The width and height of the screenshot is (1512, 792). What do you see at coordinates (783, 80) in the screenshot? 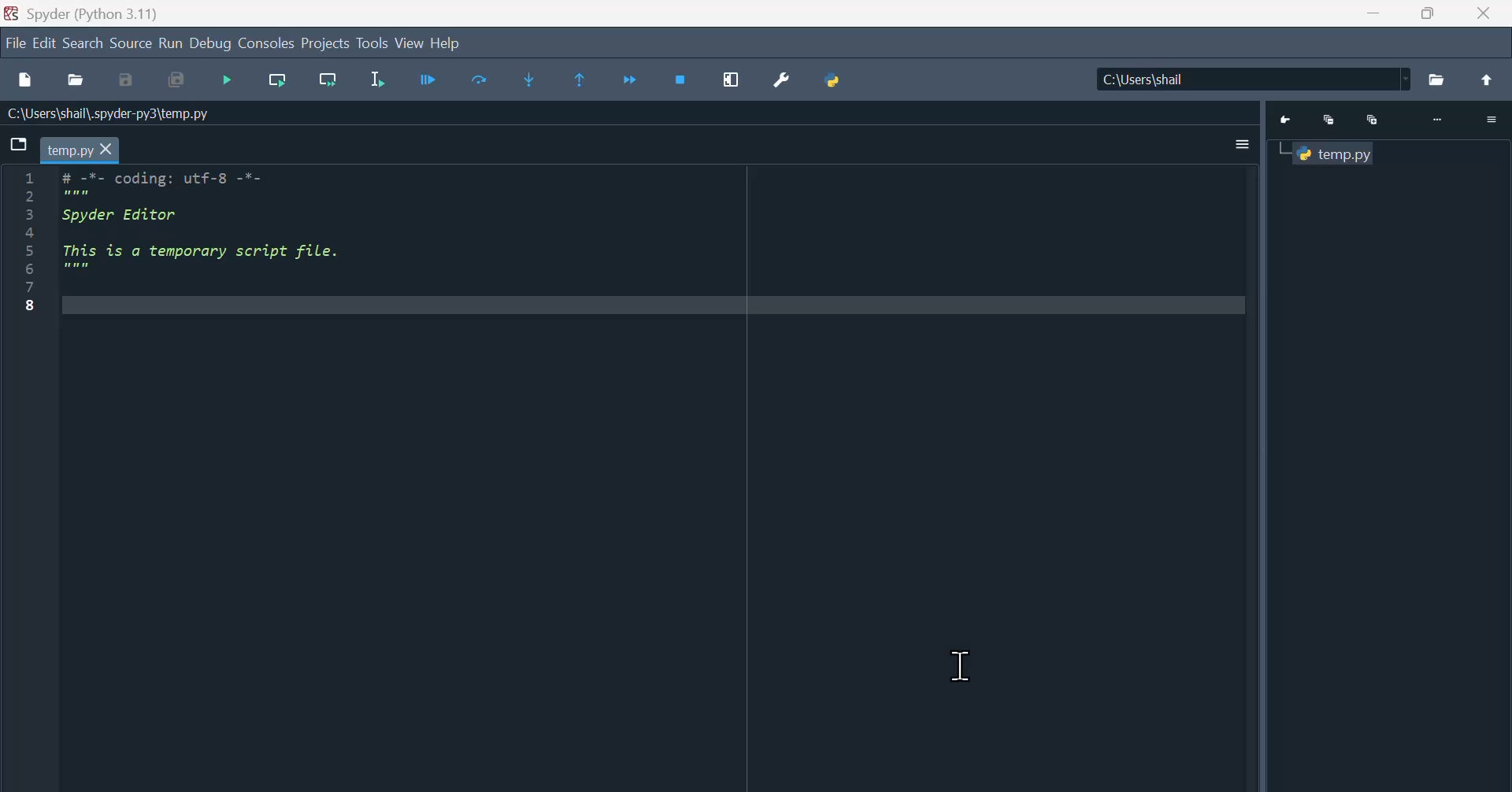
I see `Preferences` at bounding box center [783, 80].